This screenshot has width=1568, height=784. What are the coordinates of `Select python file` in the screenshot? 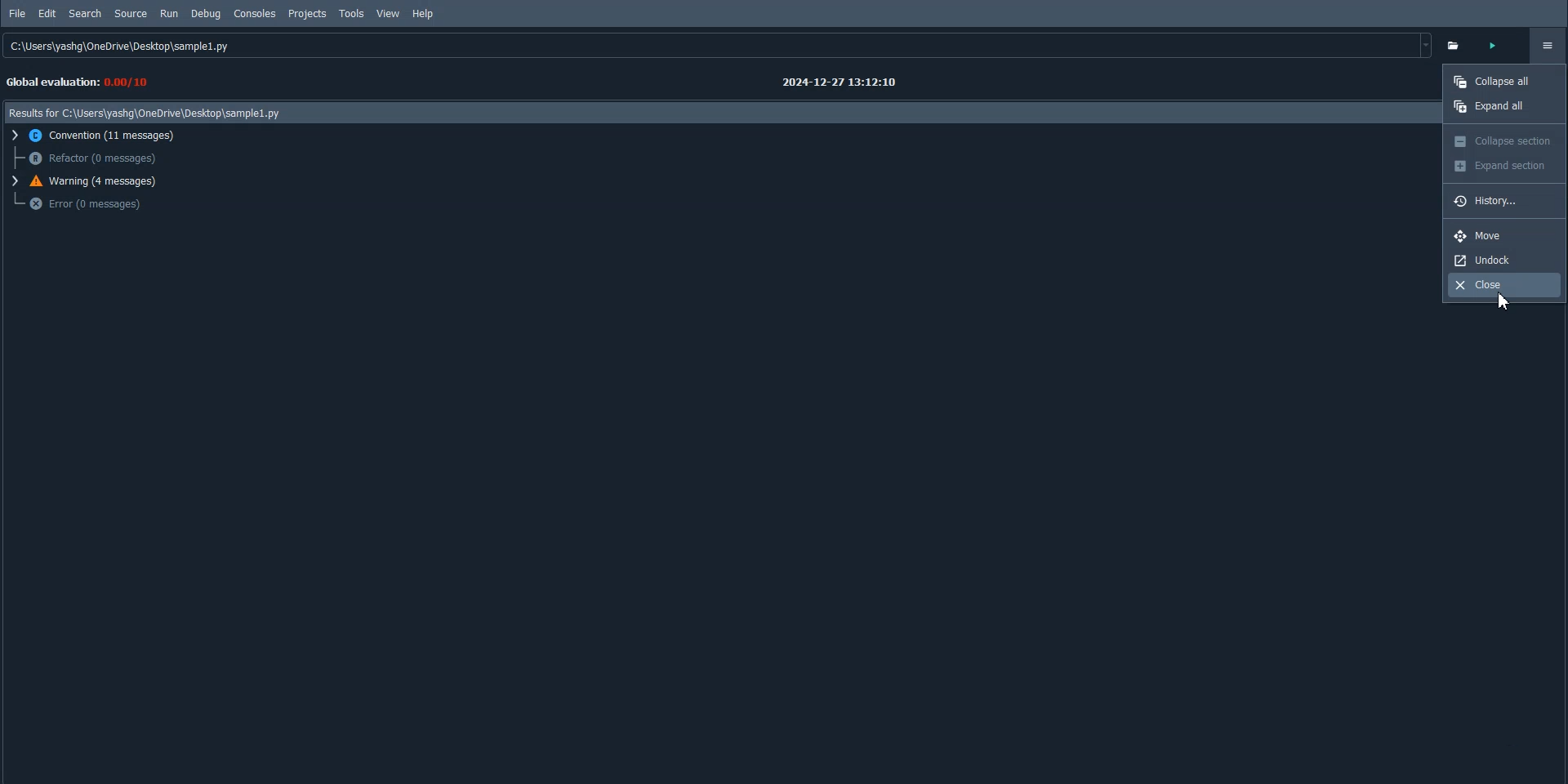 It's located at (1459, 45).